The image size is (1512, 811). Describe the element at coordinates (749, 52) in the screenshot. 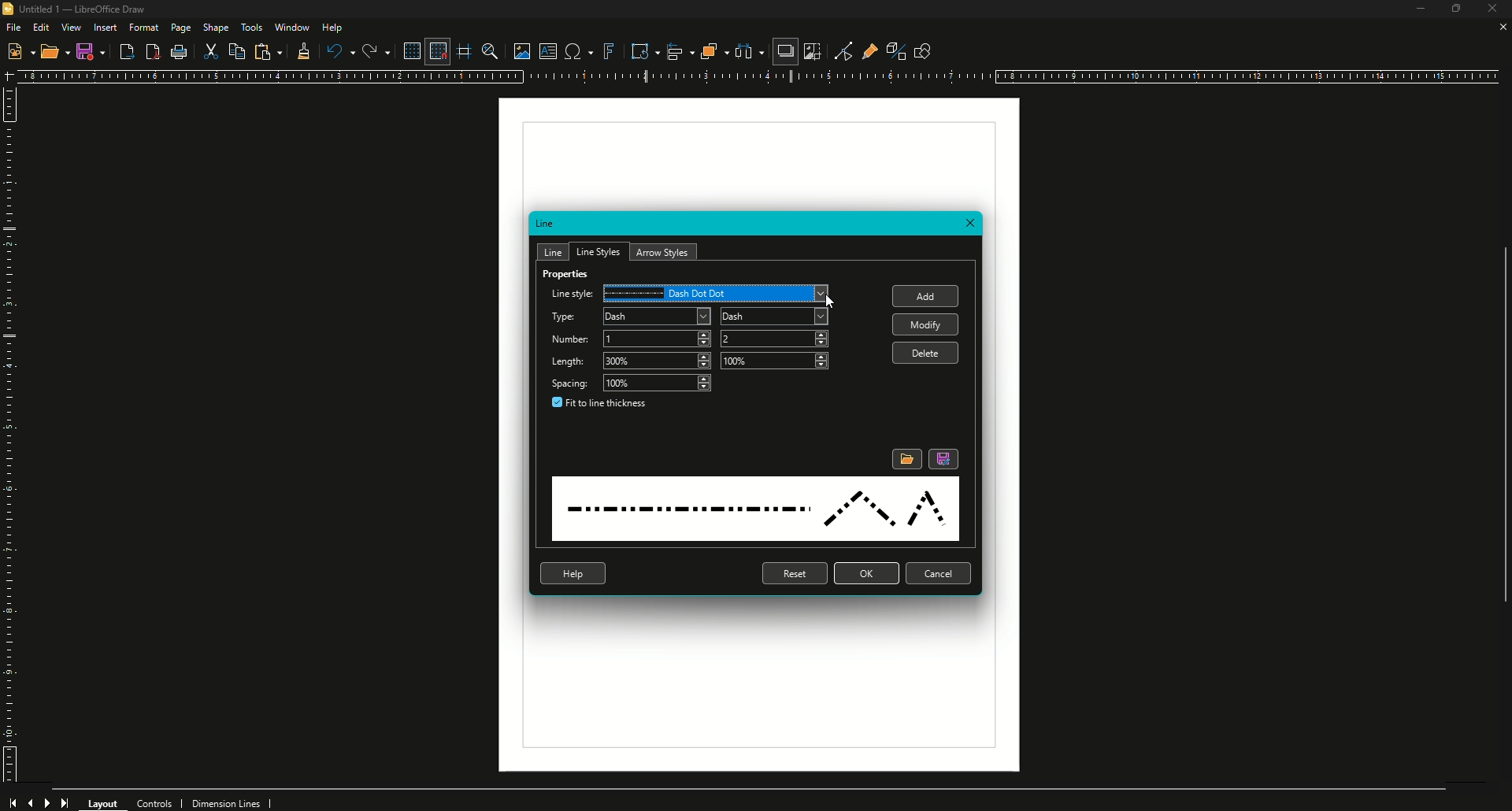

I see `Select three objects` at that location.